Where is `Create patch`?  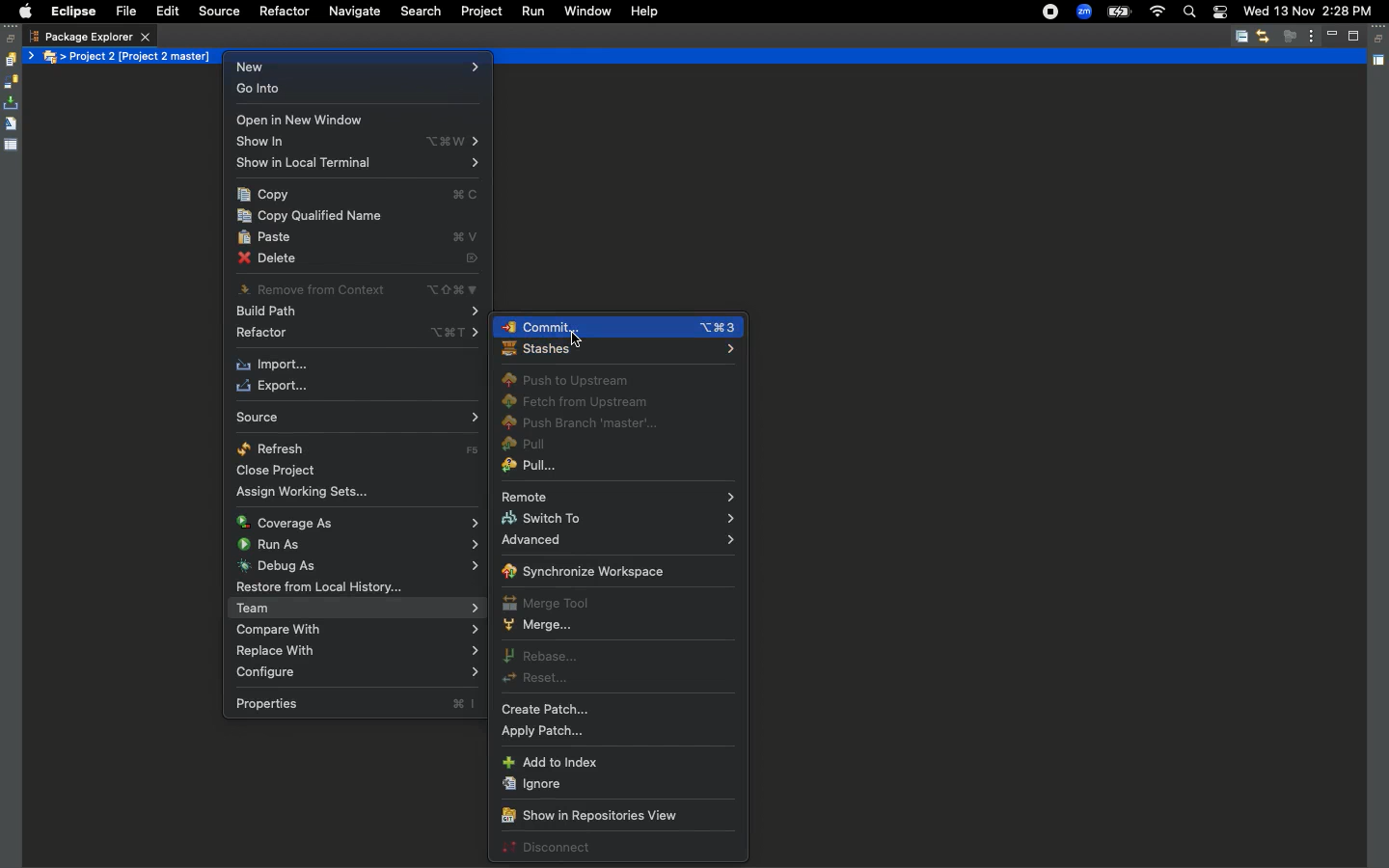 Create patch is located at coordinates (550, 710).